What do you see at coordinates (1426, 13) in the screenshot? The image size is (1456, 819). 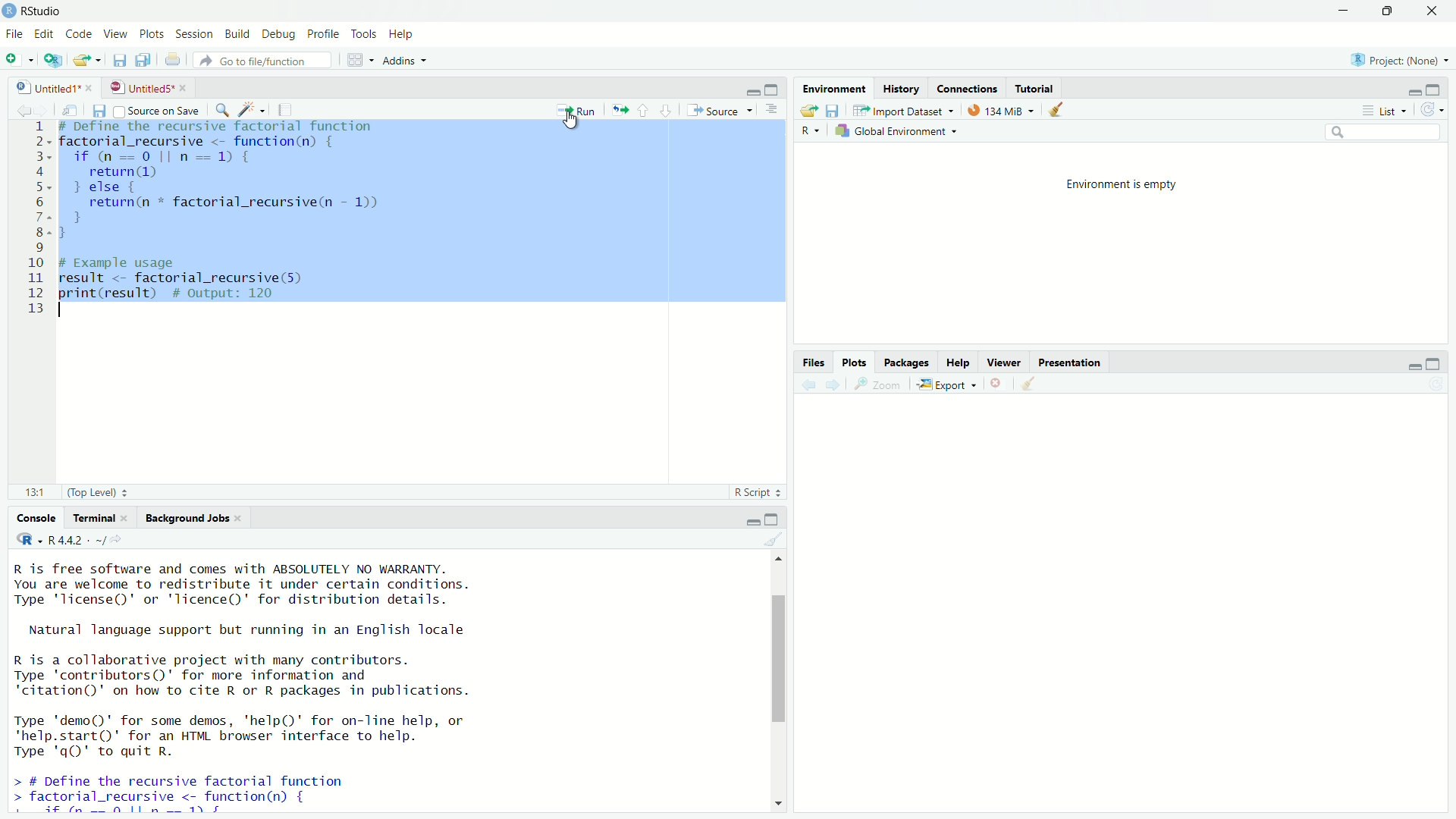 I see `Close` at bounding box center [1426, 13].